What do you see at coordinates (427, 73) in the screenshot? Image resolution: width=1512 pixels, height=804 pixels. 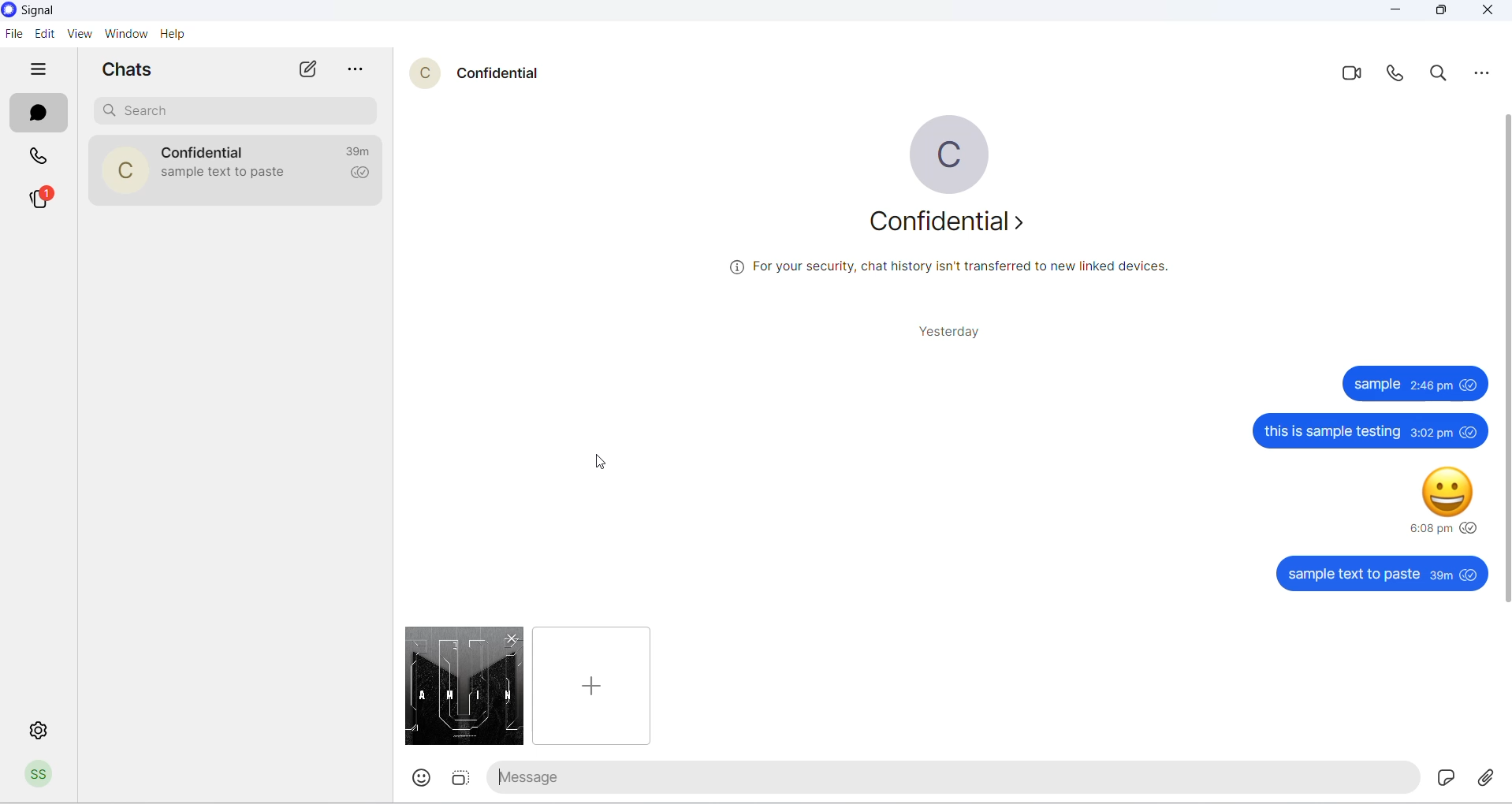 I see `contact profile picture` at bounding box center [427, 73].